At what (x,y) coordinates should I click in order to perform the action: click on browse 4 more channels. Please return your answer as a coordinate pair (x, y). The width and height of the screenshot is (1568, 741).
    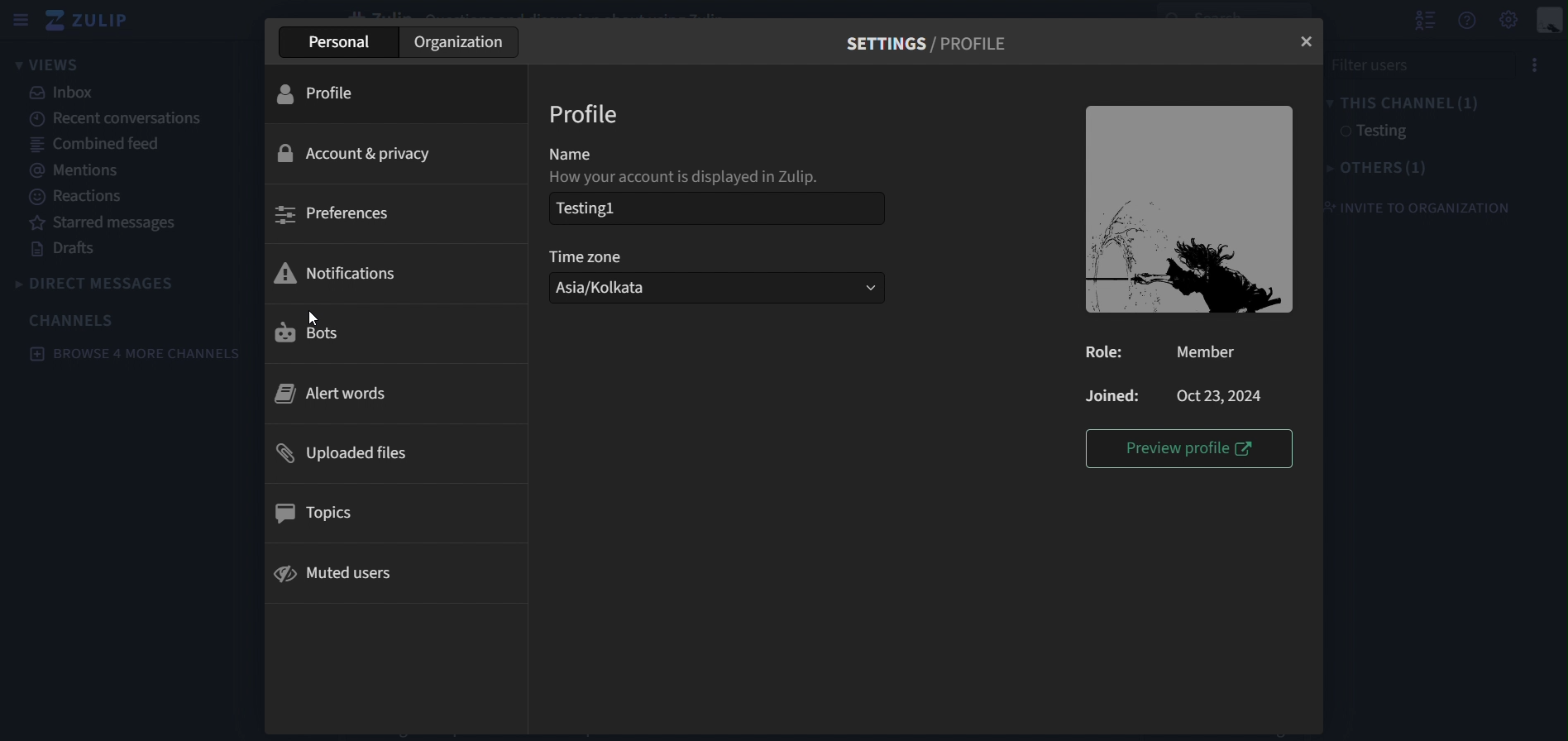
    Looking at the image, I should click on (136, 354).